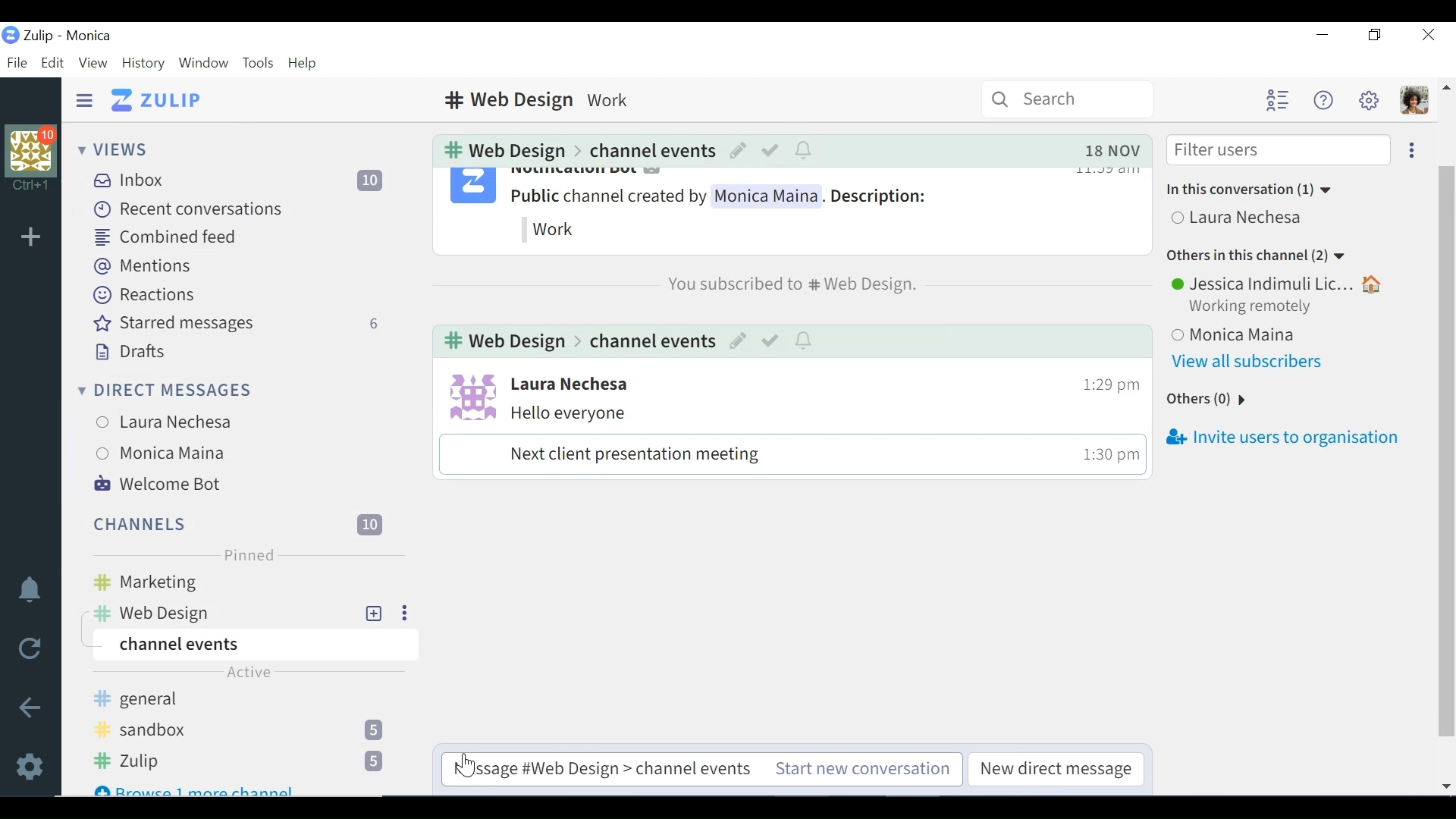 The width and height of the screenshot is (1456, 819). What do you see at coordinates (1277, 151) in the screenshot?
I see `Filter users input` at bounding box center [1277, 151].